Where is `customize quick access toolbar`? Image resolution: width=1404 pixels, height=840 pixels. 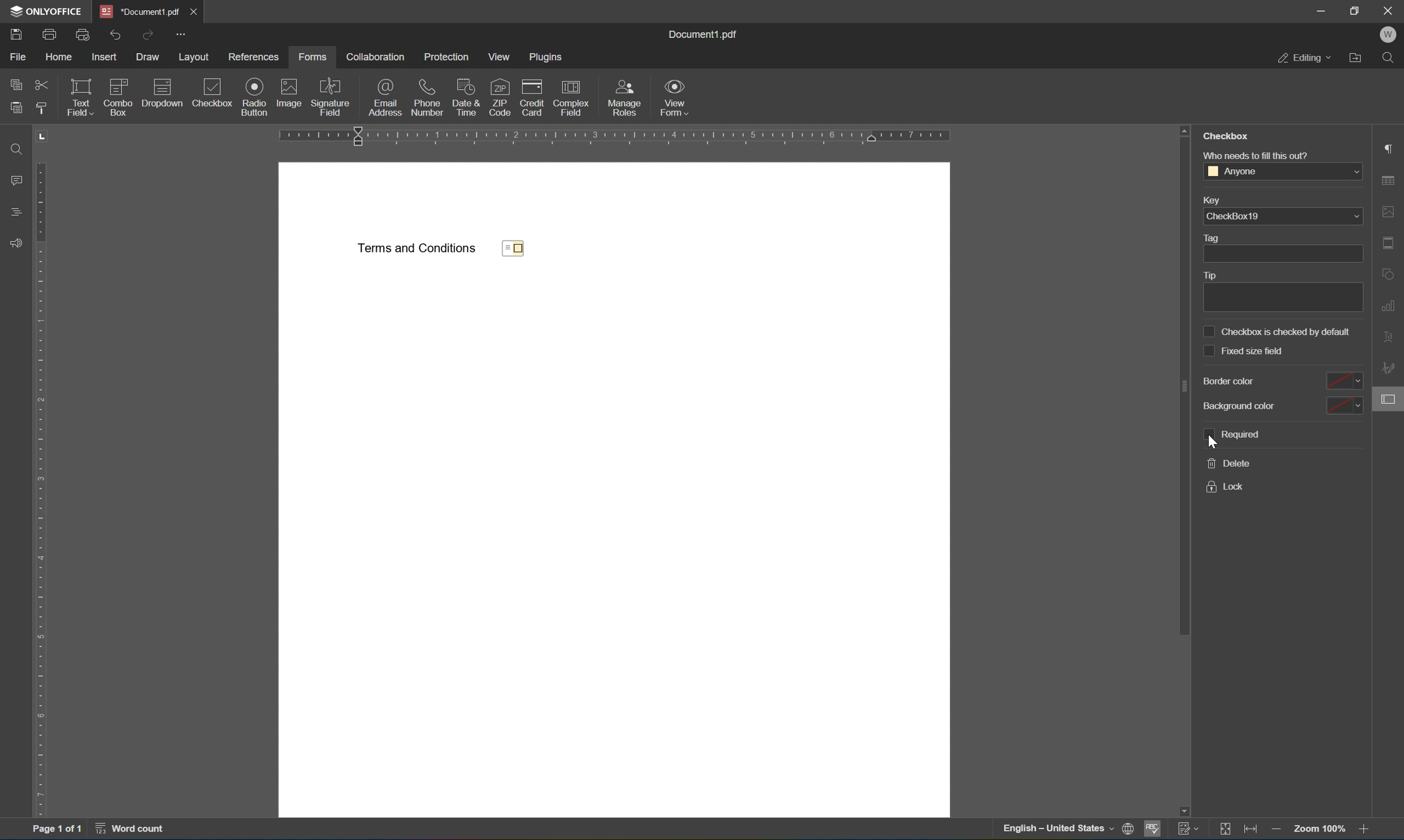
customize quick access toolbar is located at coordinates (181, 33).